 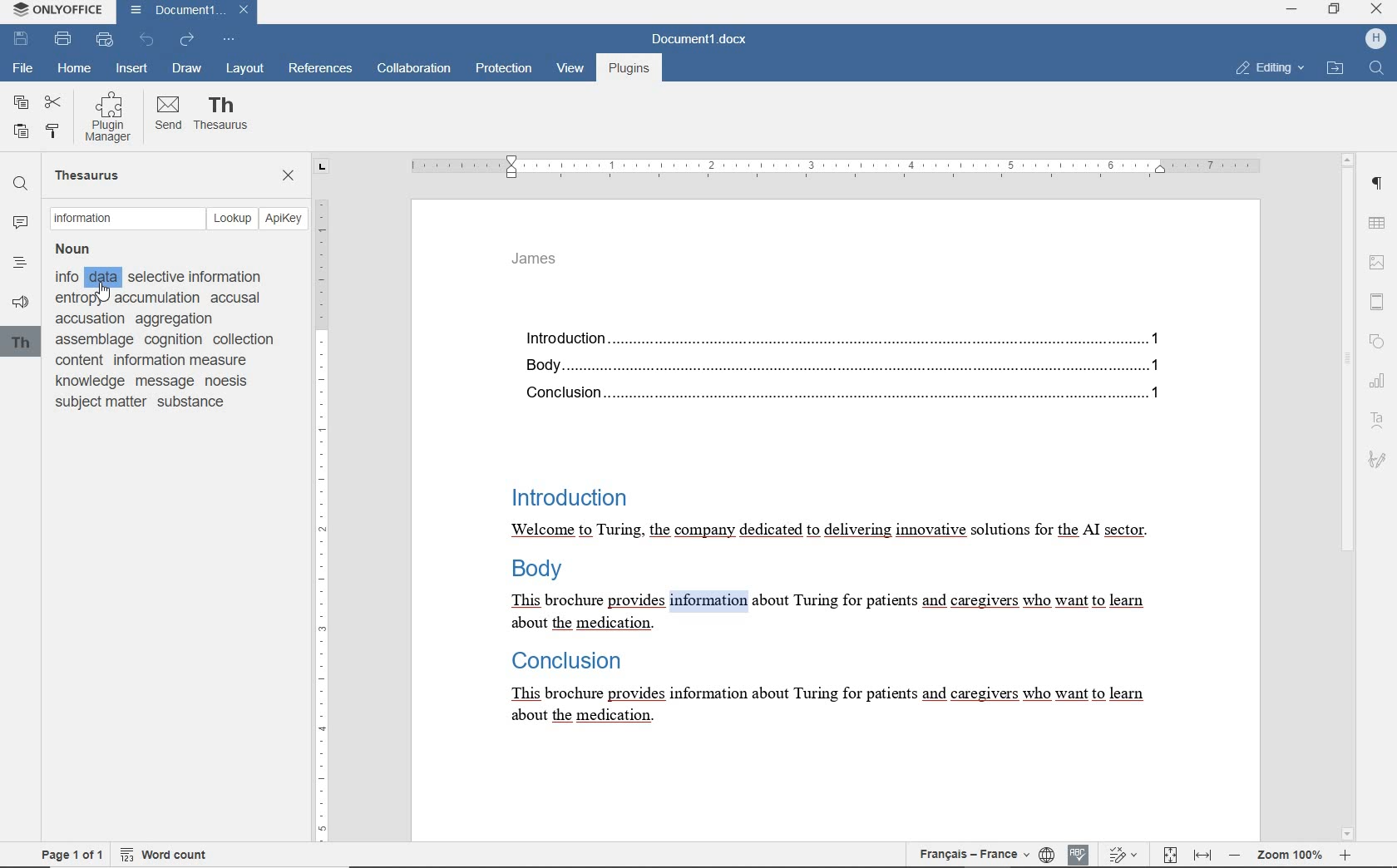 I want to click on Introduction...1, so click(x=847, y=336).